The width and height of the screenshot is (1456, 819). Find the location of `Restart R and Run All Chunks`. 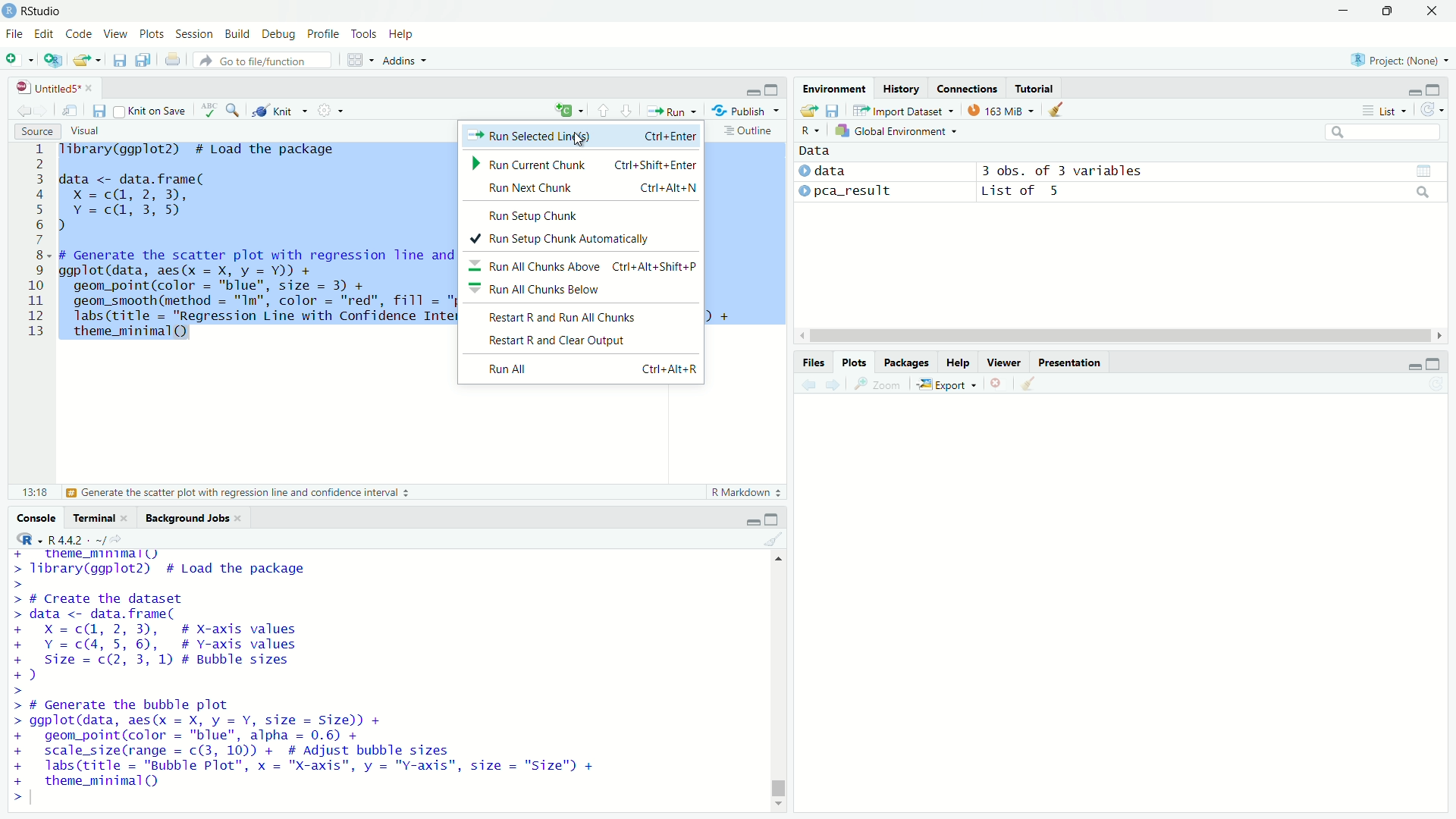

Restart R and Run All Chunks is located at coordinates (579, 316).